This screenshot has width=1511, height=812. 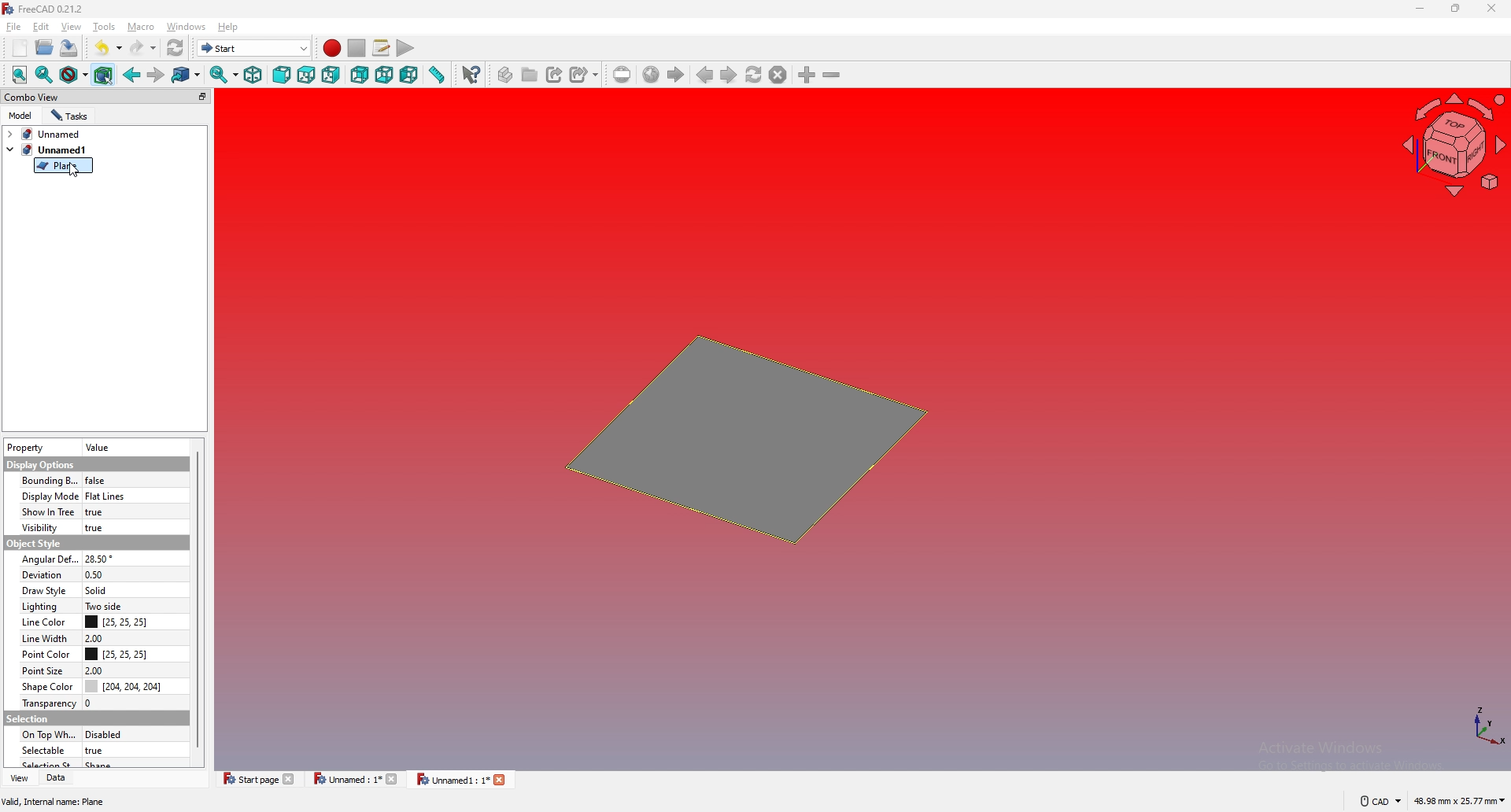 What do you see at coordinates (63, 166) in the screenshot?
I see `plane` at bounding box center [63, 166].